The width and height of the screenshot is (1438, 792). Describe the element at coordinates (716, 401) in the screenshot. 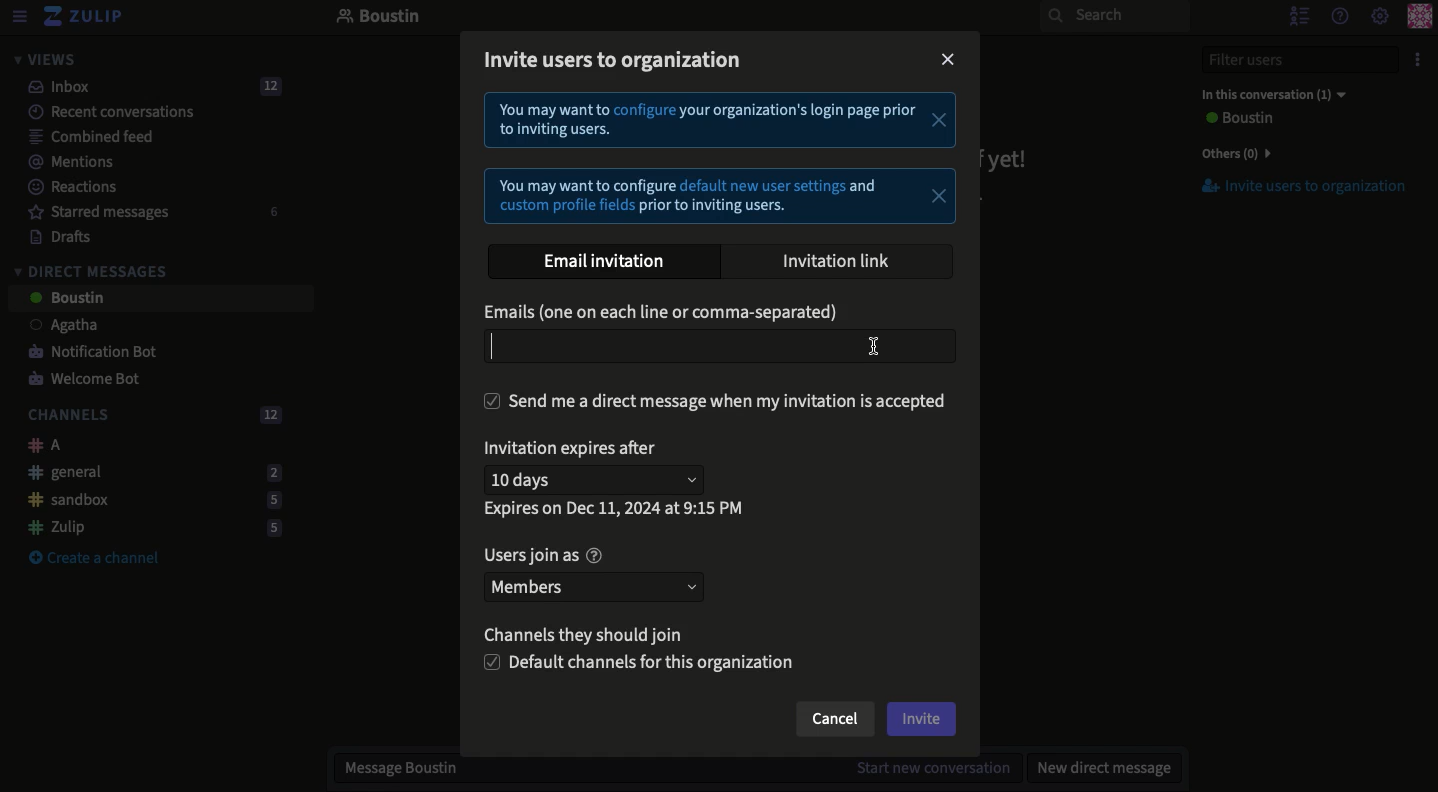

I see `Send DM when invitation is accepted` at that location.